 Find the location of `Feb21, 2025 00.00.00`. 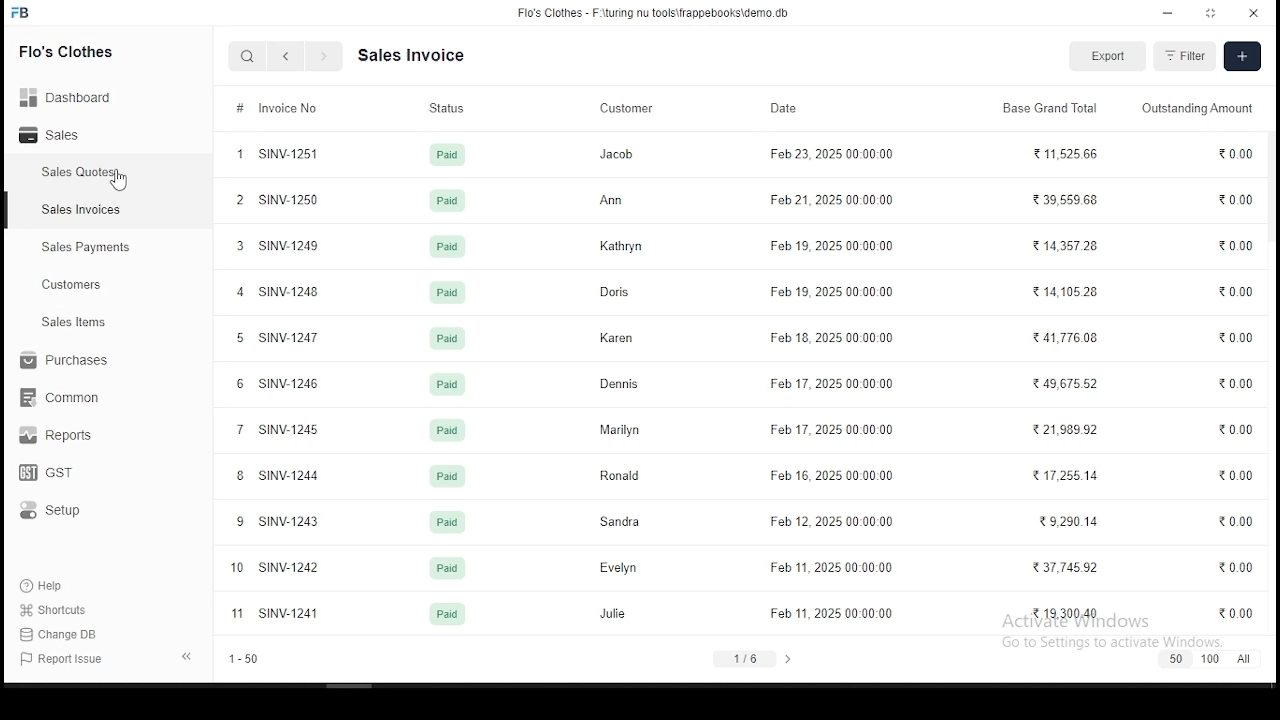

Feb21, 2025 00.00.00 is located at coordinates (841, 202).